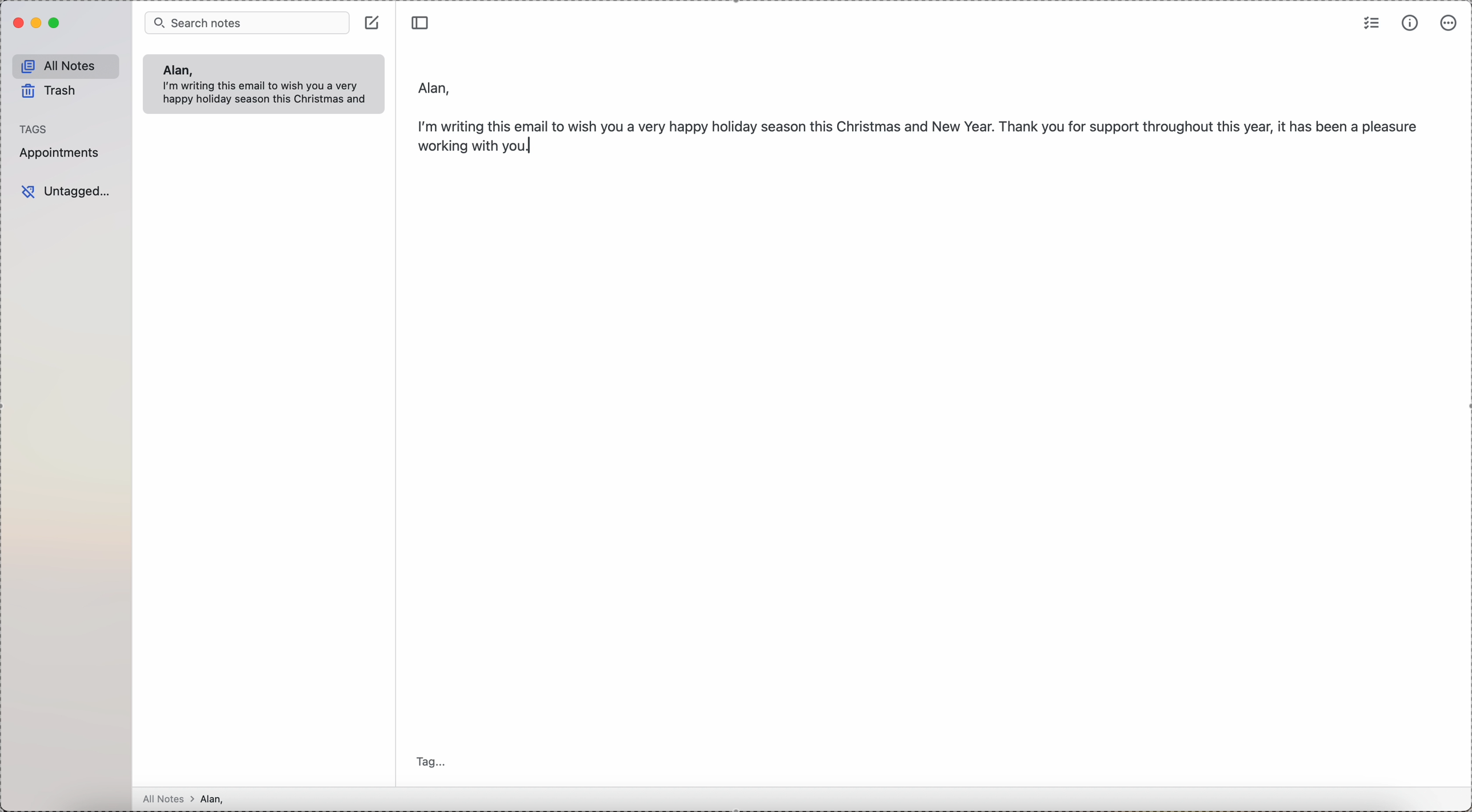  I want to click on toggle sidebar, so click(422, 21).